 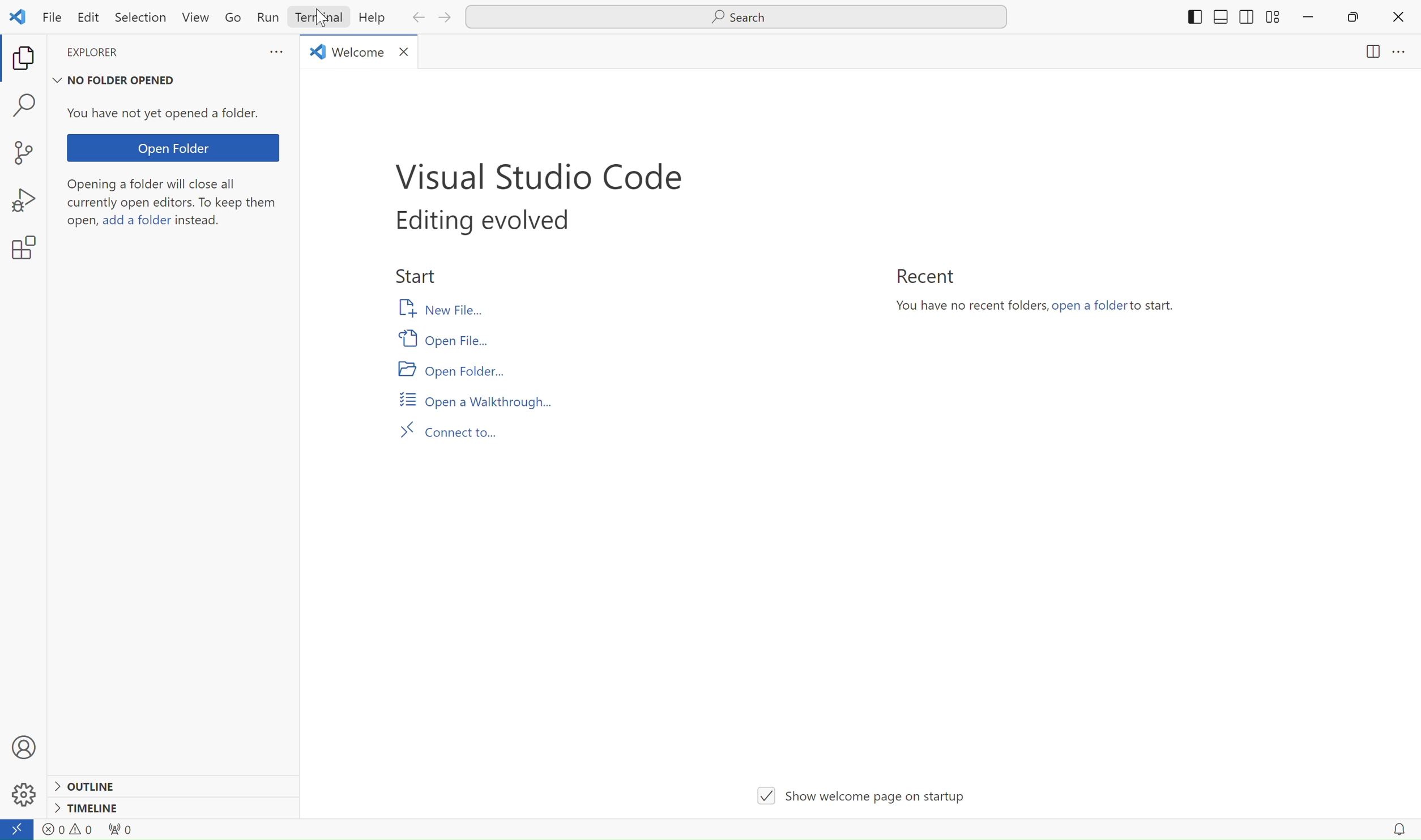 I want to click on settings, so click(x=24, y=799).